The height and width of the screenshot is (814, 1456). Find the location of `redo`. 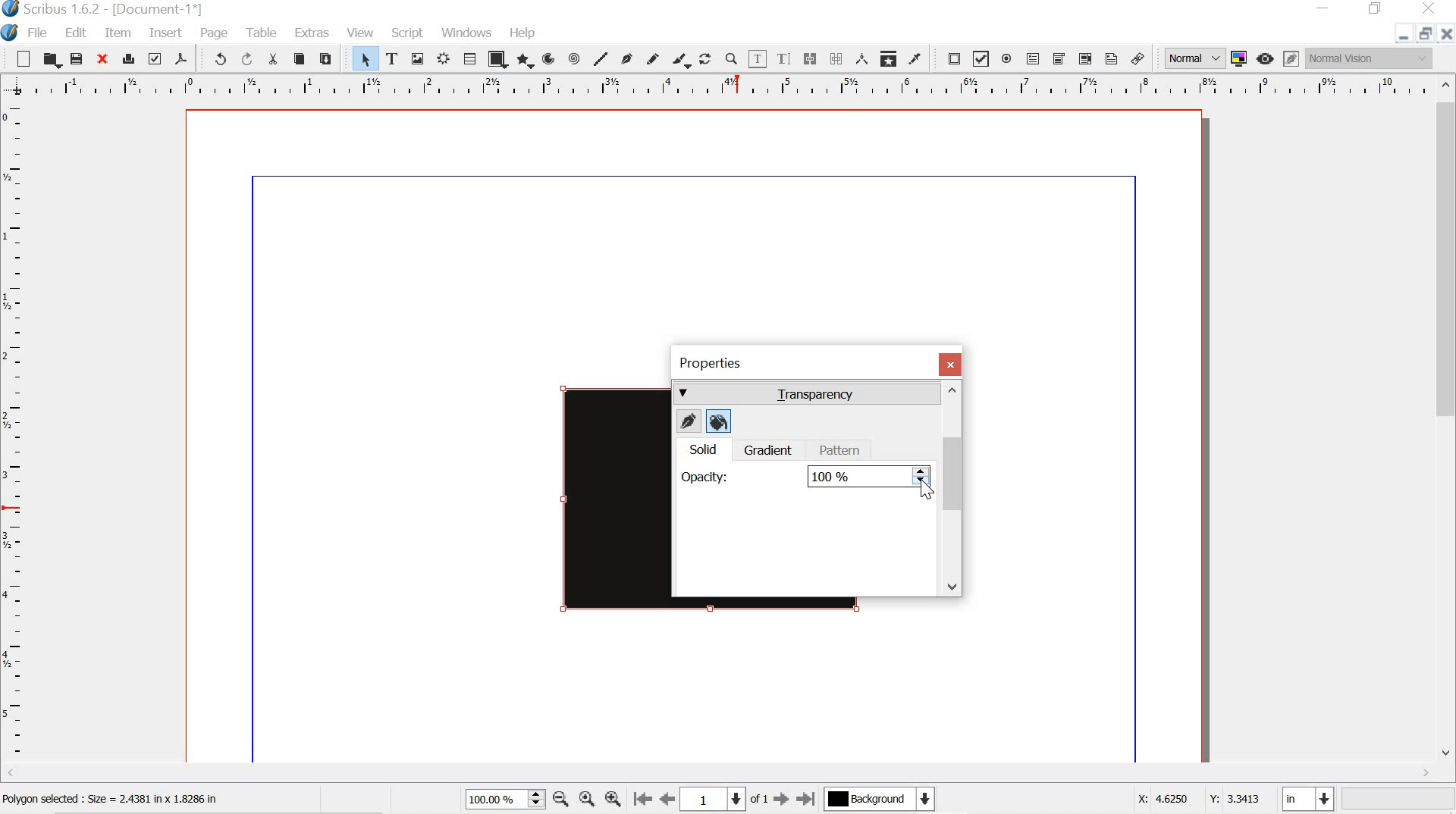

redo is located at coordinates (250, 60).